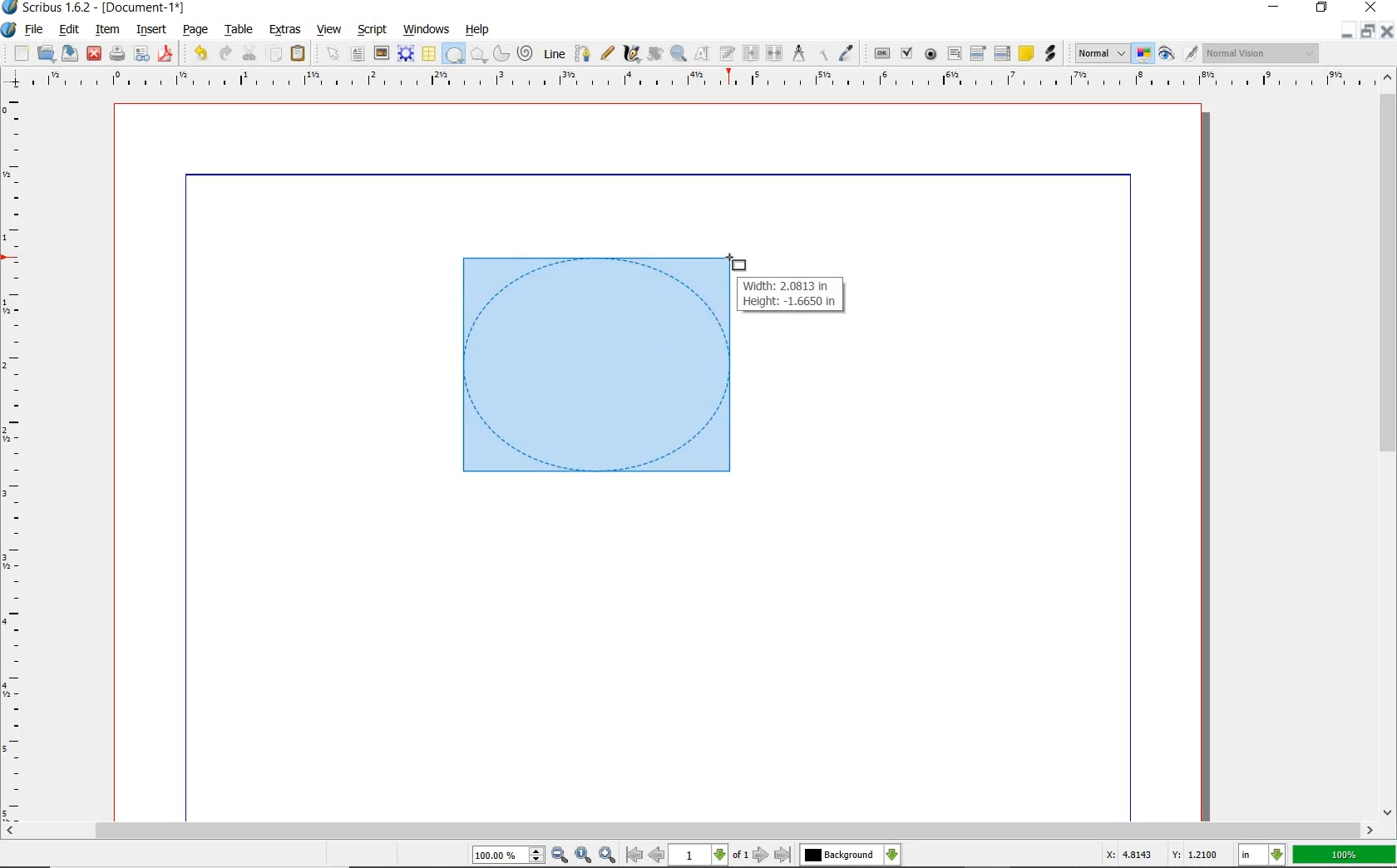 The width and height of the screenshot is (1397, 868). Describe the element at coordinates (68, 31) in the screenshot. I see `EDIT` at that location.